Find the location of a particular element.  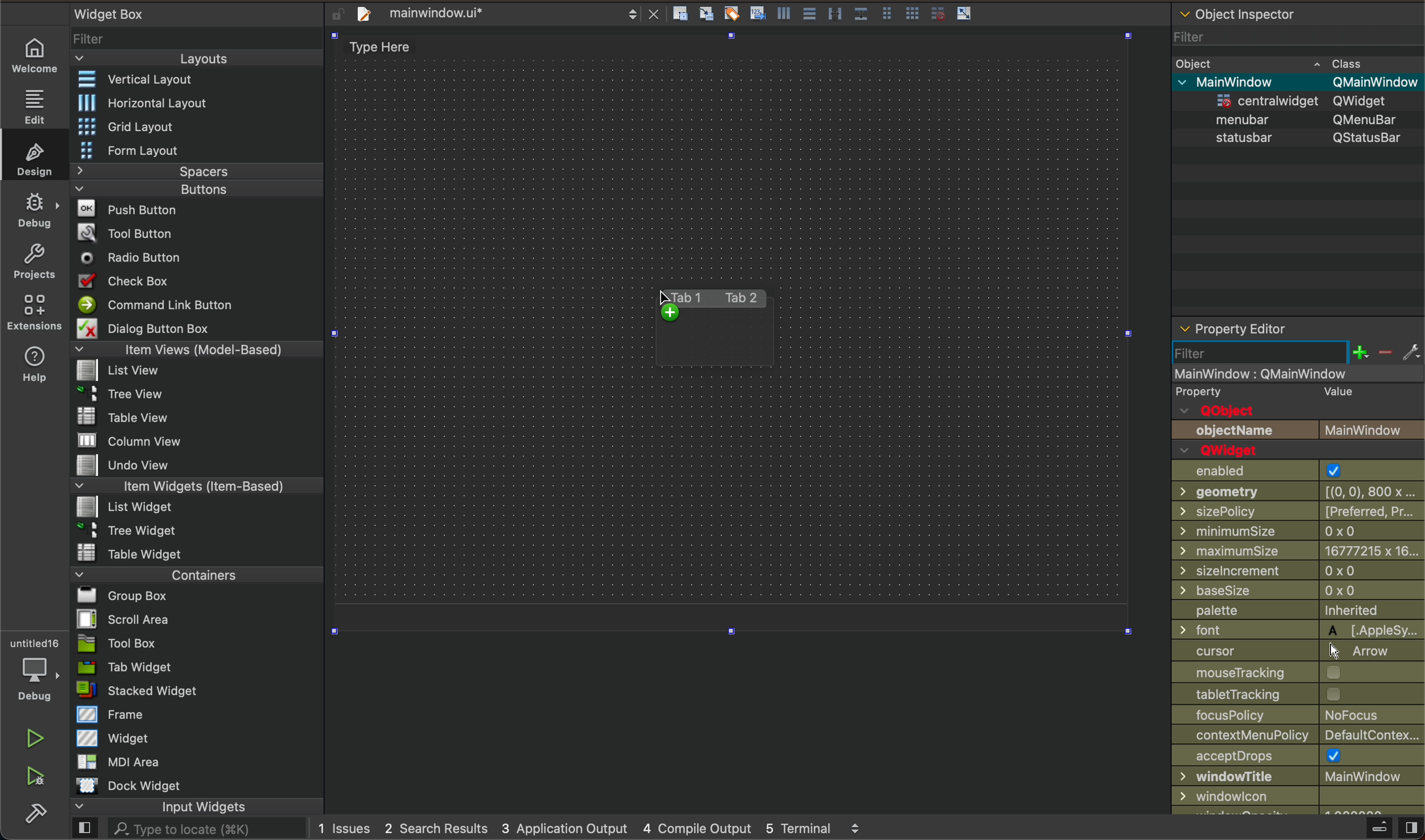

object inspector is located at coordinates (1298, 16).